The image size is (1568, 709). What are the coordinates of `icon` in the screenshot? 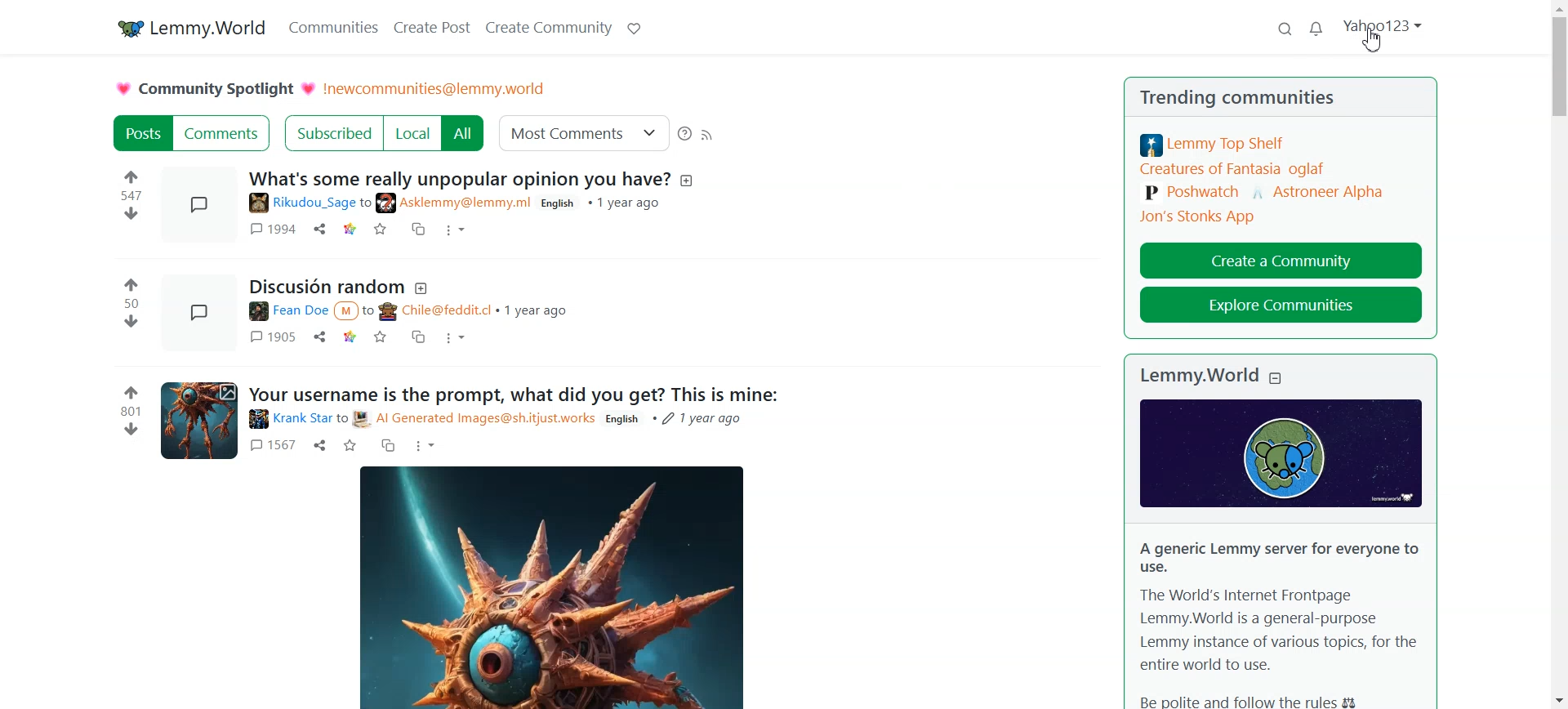 It's located at (1281, 453).